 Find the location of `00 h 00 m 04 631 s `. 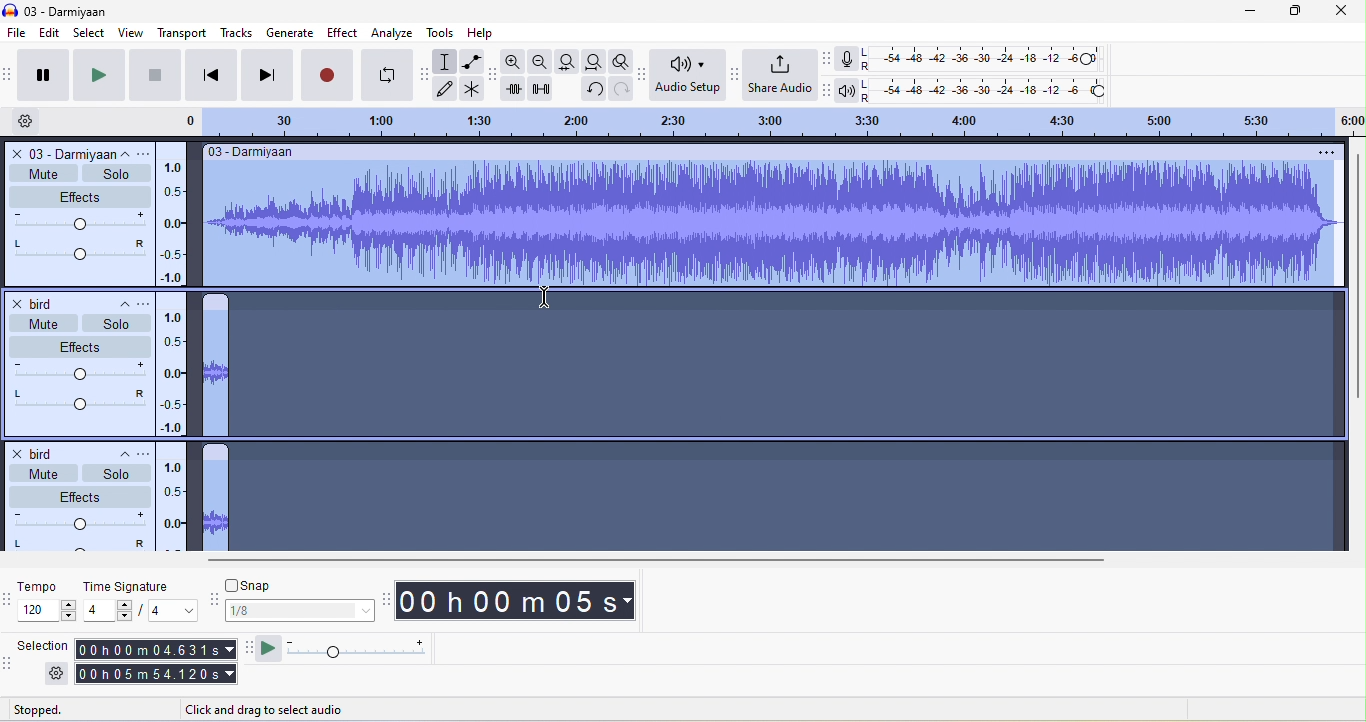

00 h 00 m 04 631 s  is located at coordinates (158, 646).